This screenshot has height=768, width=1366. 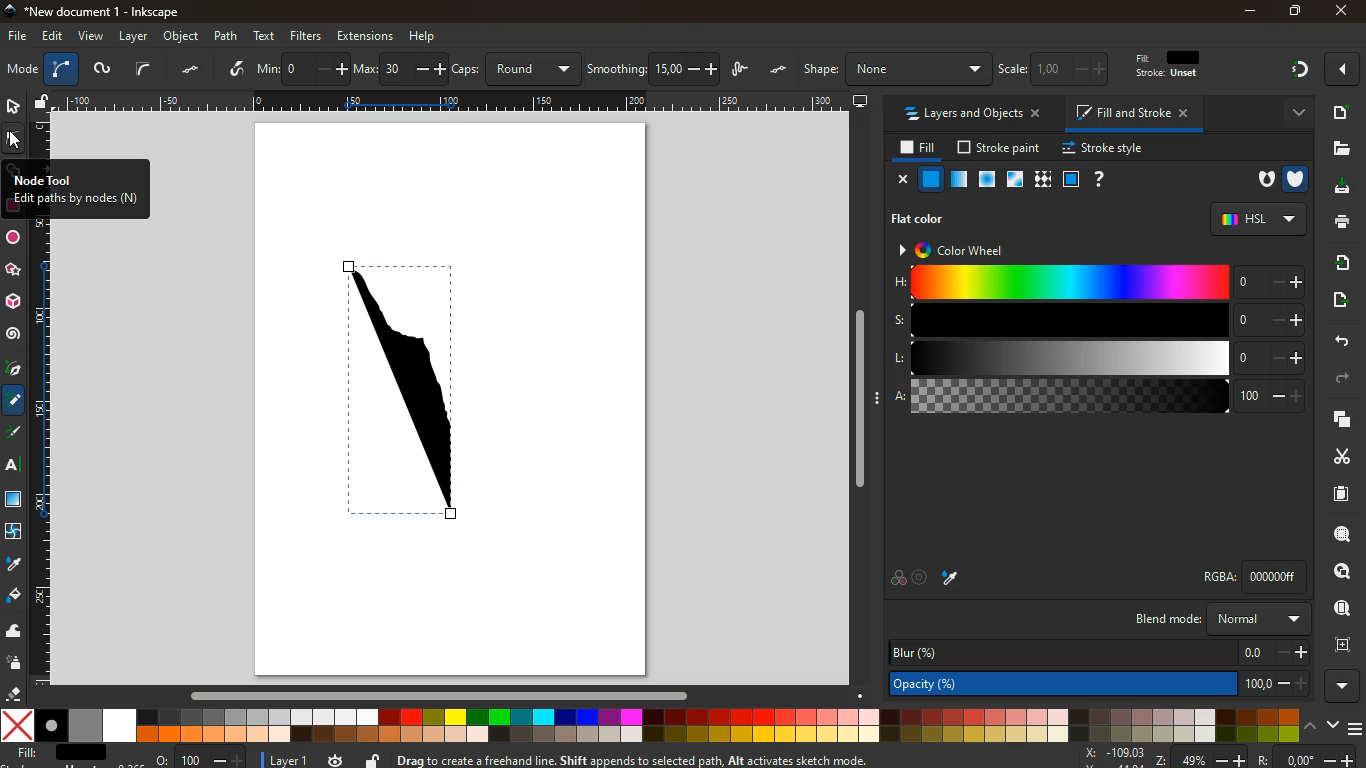 What do you see at coordinates (896, 68) in the screenshot?
I see `shape` at bounding box center [896, 68].